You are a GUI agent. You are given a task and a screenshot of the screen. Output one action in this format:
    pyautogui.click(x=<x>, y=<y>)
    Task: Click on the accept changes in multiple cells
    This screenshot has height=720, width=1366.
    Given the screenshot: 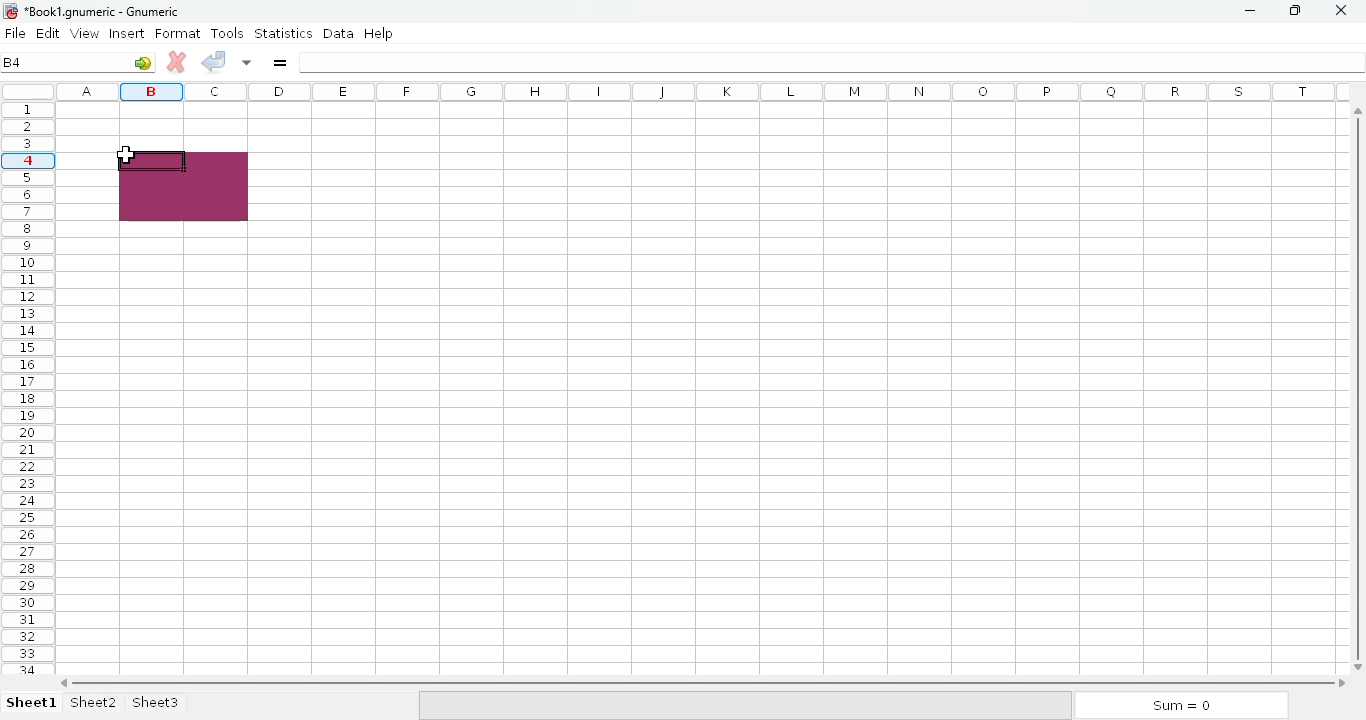 What is the action you would take?
    pyautogui.click(x=247, y=62)
    